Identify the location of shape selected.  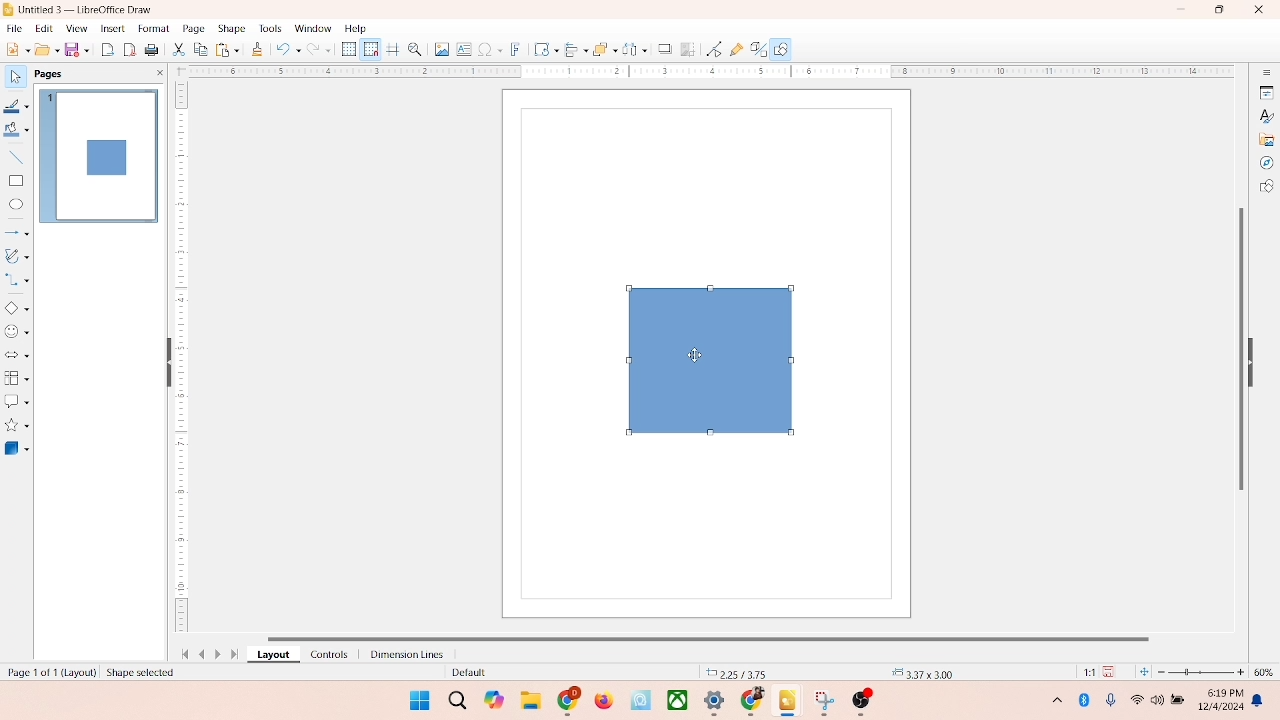
(144, 673).